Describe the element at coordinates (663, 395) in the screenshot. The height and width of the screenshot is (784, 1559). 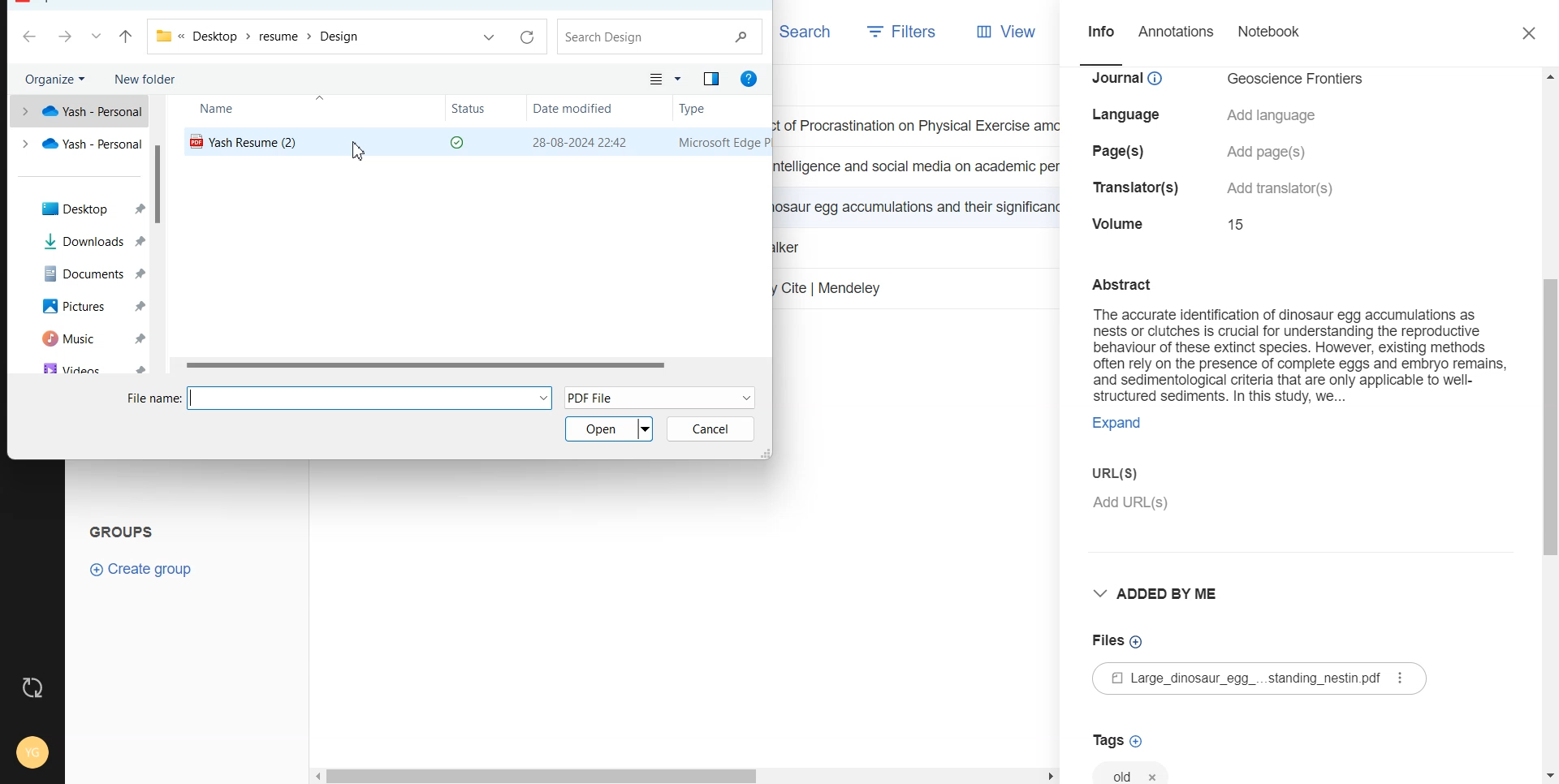
I see `PDF File` at that location.